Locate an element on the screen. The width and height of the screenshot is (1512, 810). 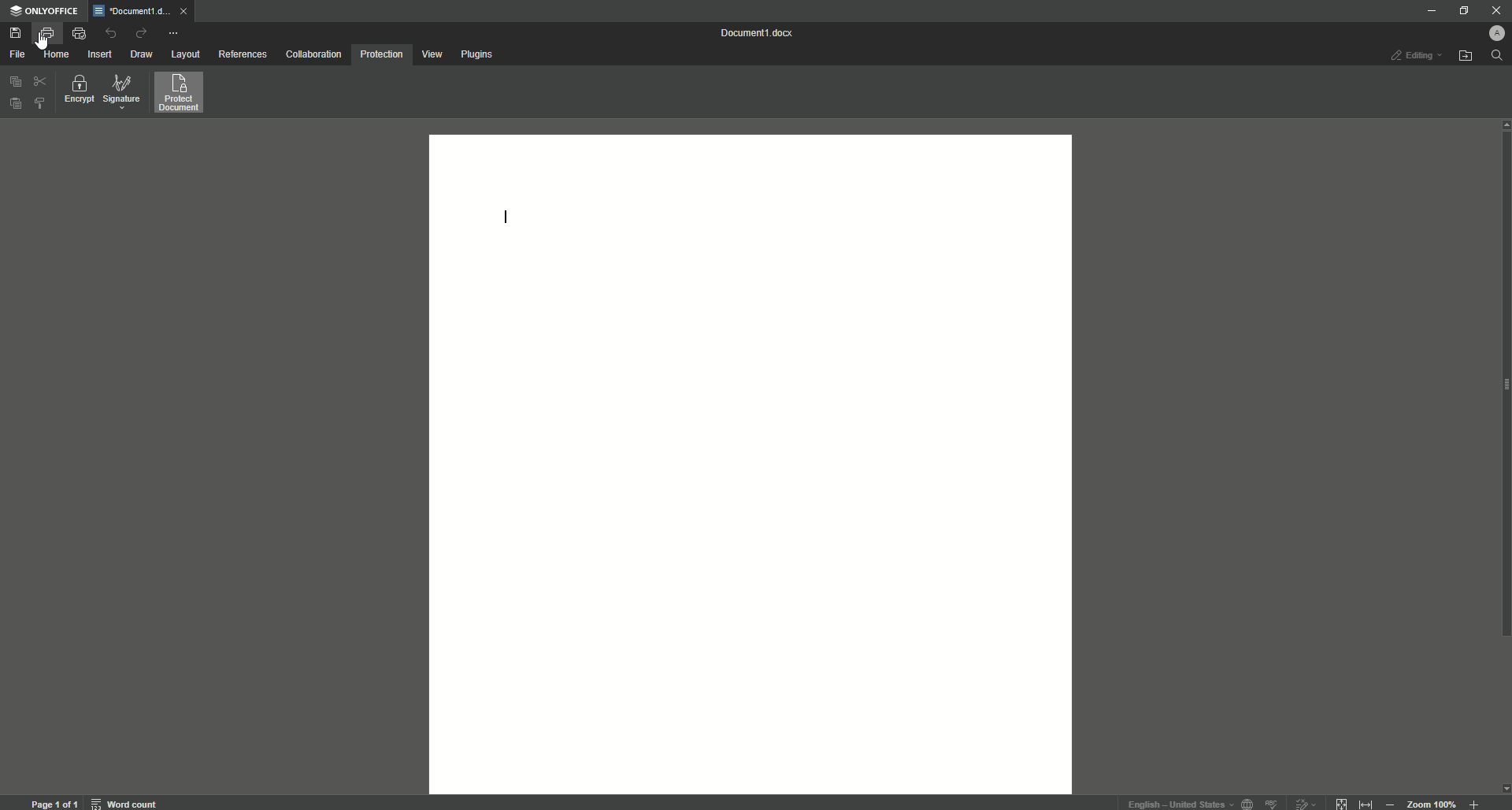
Protect Document is located at coordinates (184, 96).